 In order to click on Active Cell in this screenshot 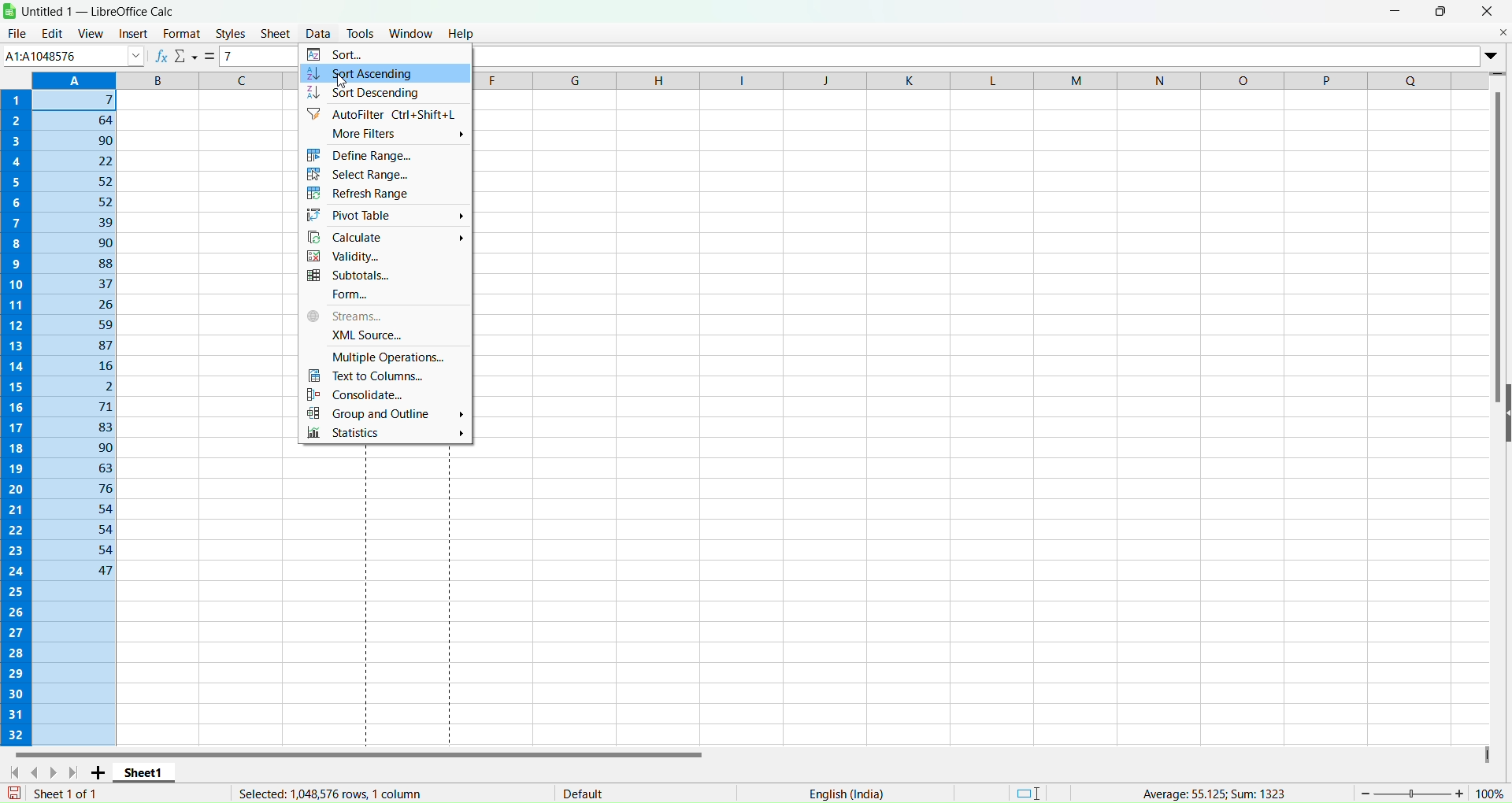, I will do `click(72, 55)`.